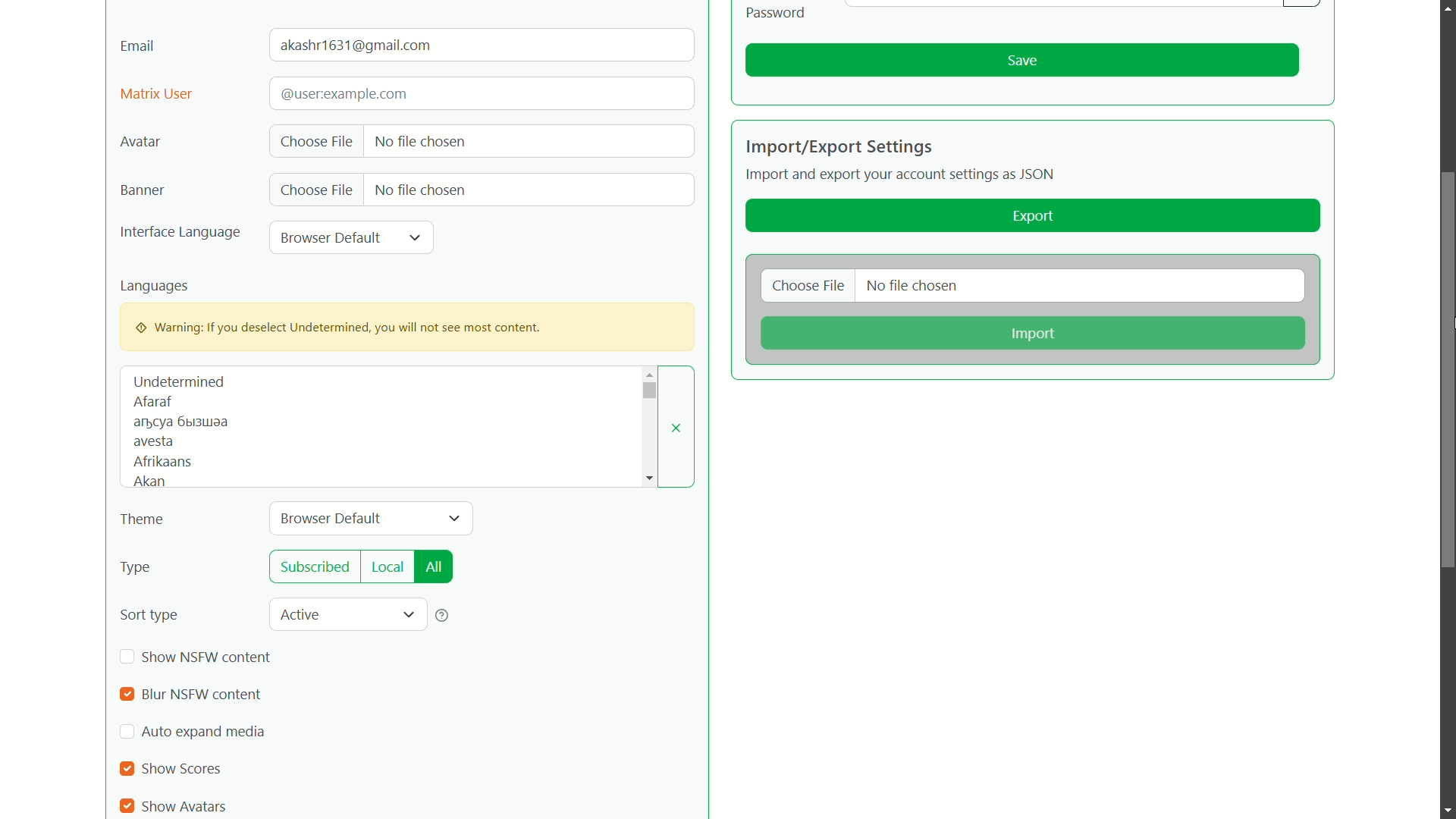 This screenshot has width=1456, height=819. I want to click on warning pop, so click(407, 326).